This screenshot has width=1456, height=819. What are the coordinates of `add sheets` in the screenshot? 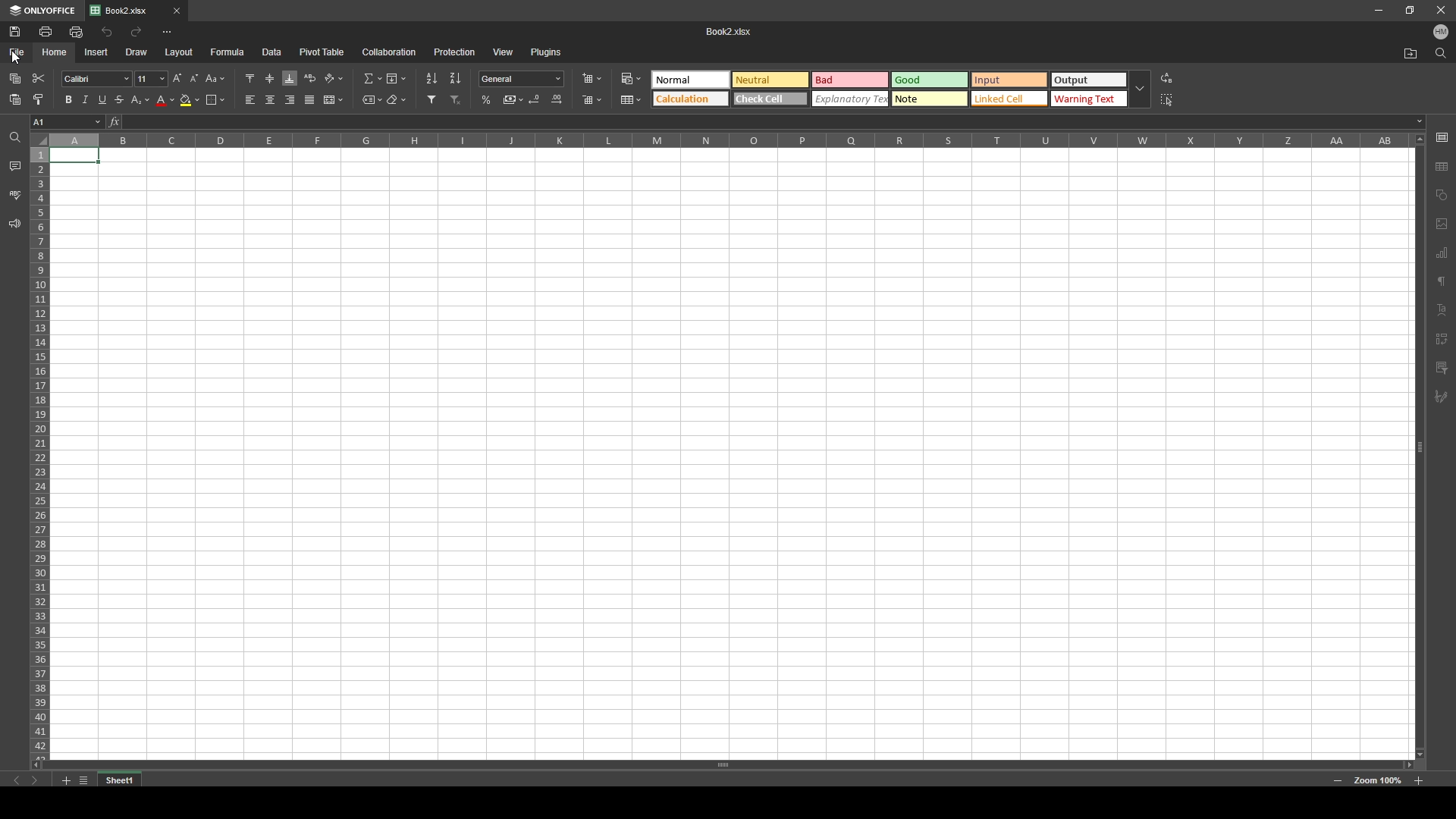 It's located at (65, 780).